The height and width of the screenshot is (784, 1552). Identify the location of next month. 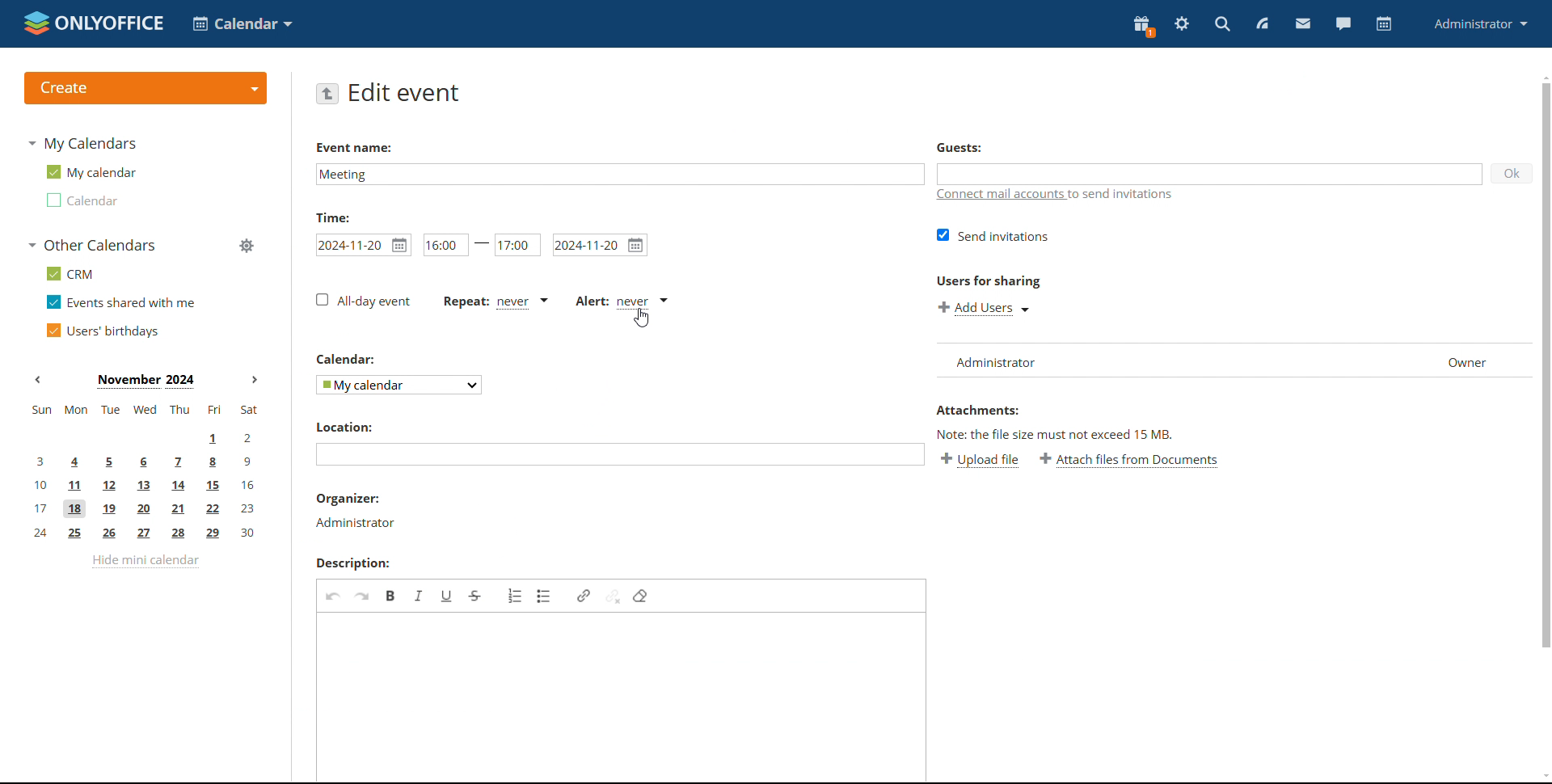
(257, 381).